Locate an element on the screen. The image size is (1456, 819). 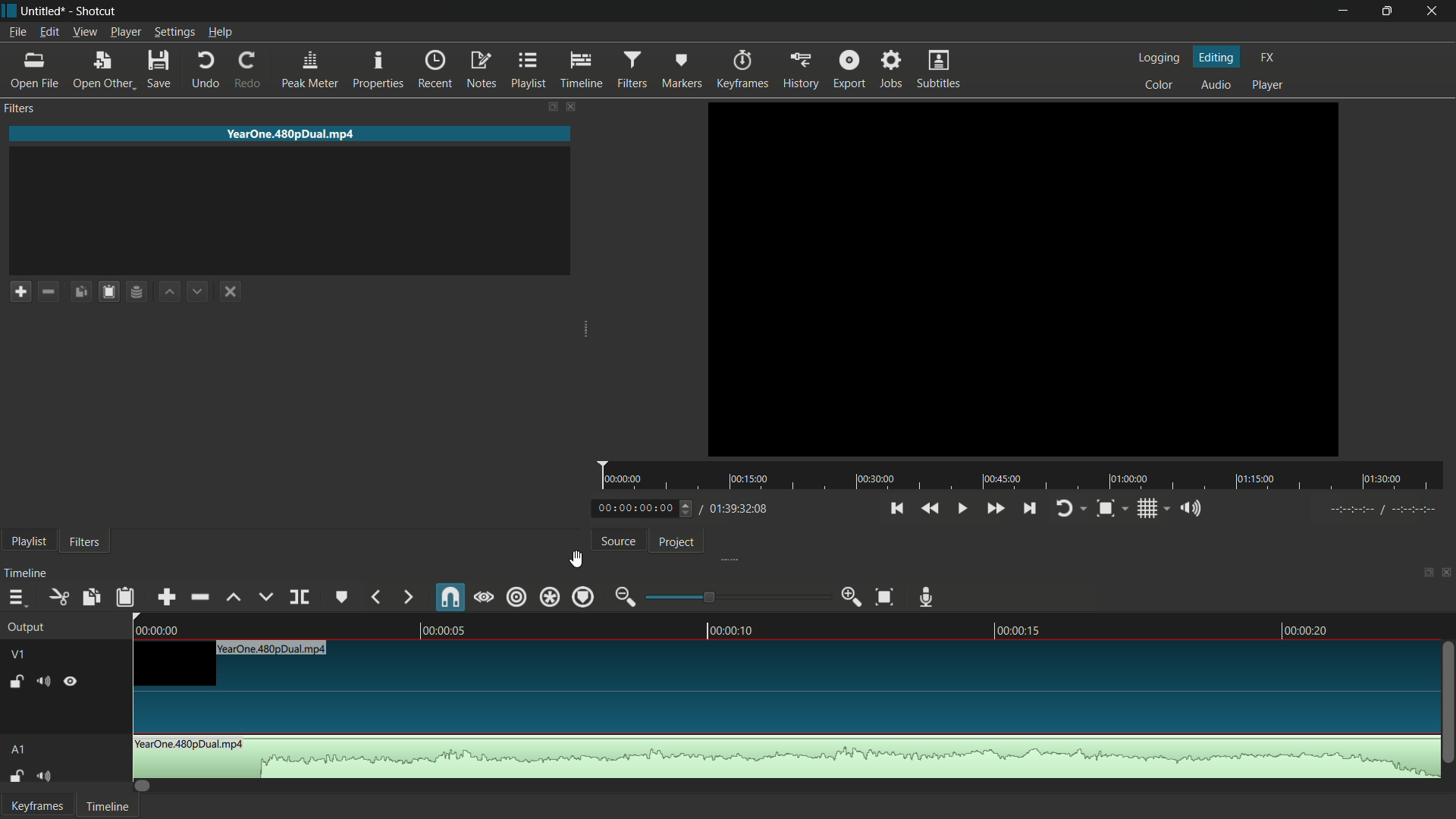
paste filters is located at coordinates (111, 292).